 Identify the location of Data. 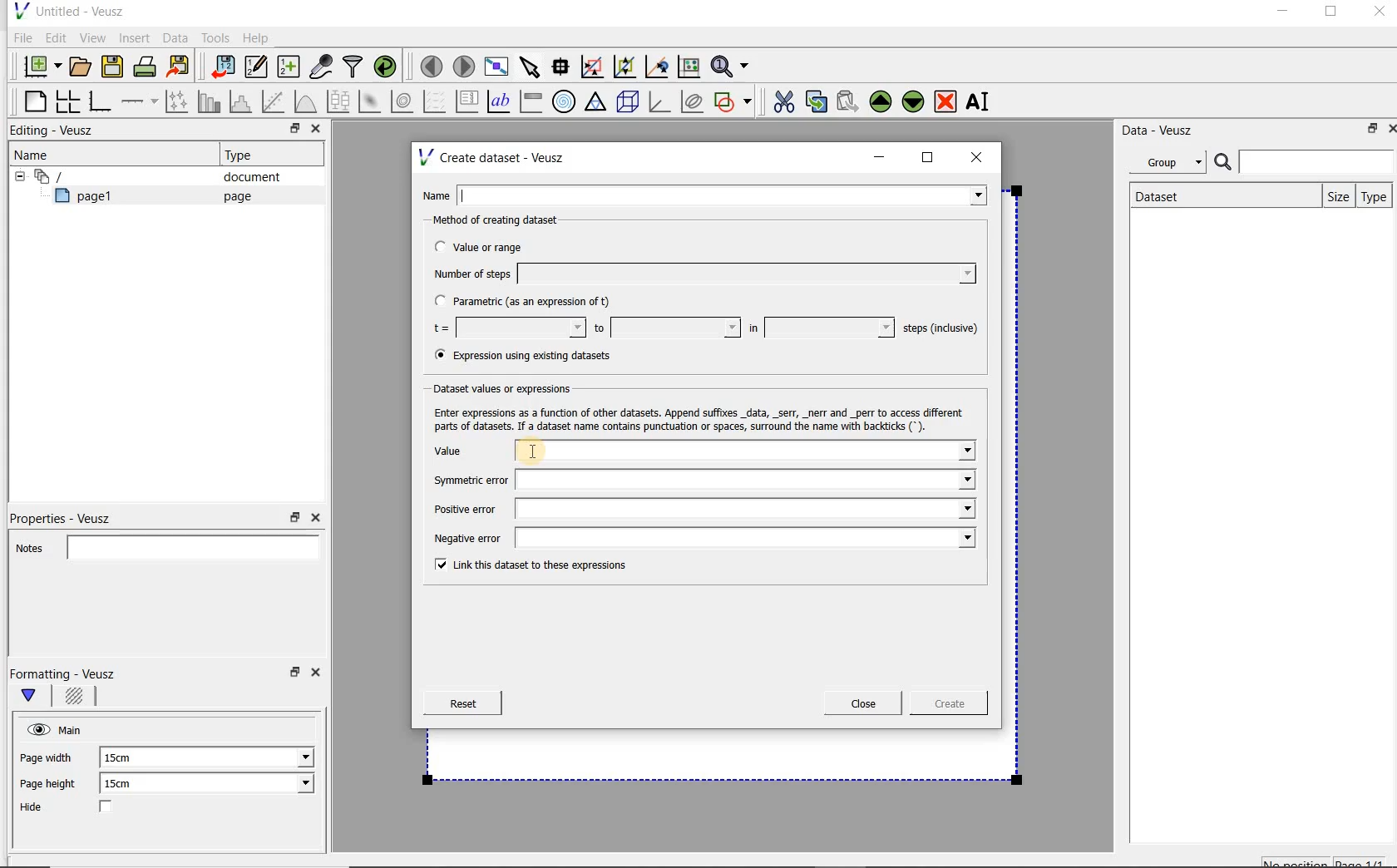
(176, 37).